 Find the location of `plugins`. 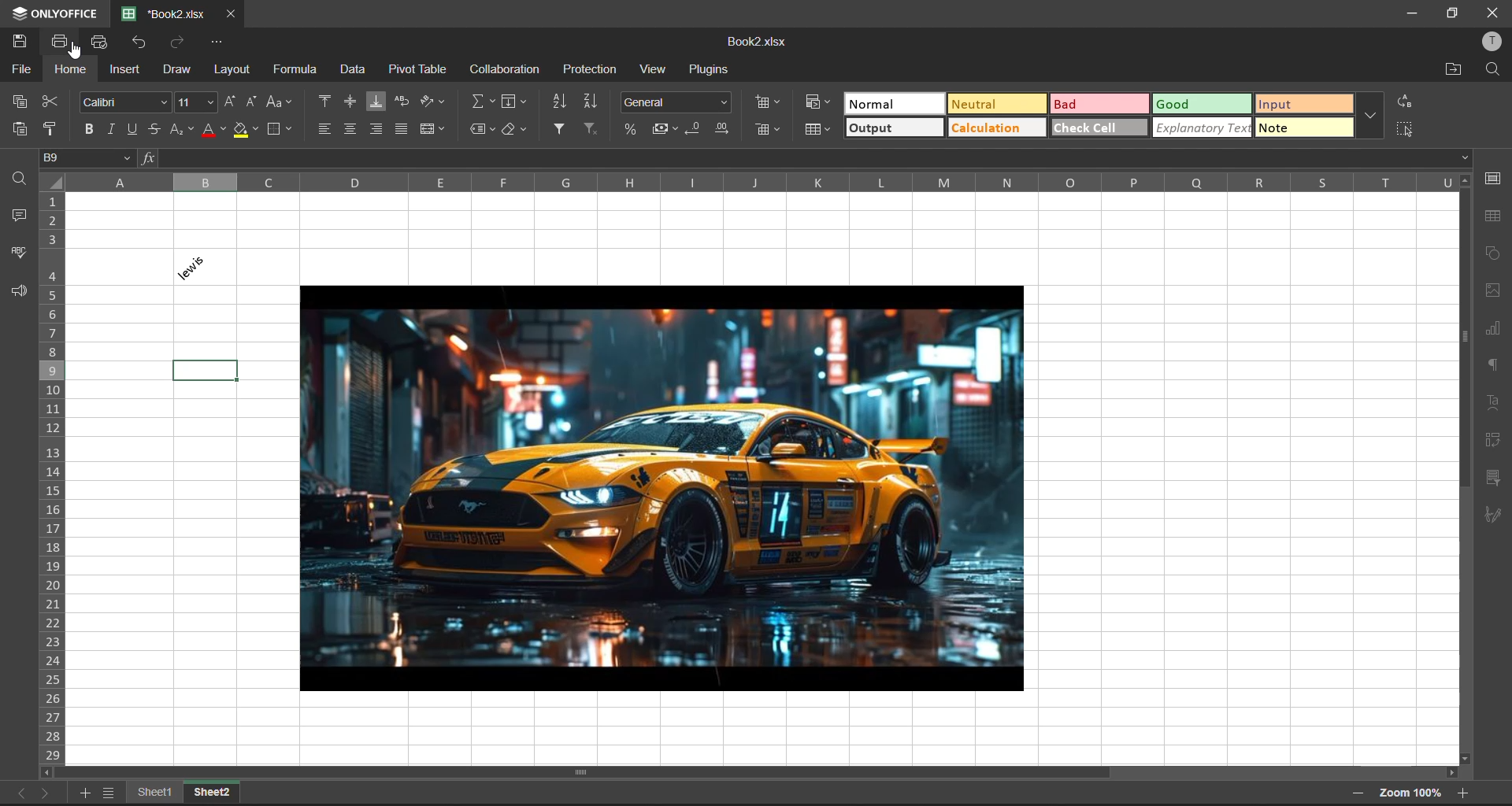

plugins is located at coordinates (708, 72).